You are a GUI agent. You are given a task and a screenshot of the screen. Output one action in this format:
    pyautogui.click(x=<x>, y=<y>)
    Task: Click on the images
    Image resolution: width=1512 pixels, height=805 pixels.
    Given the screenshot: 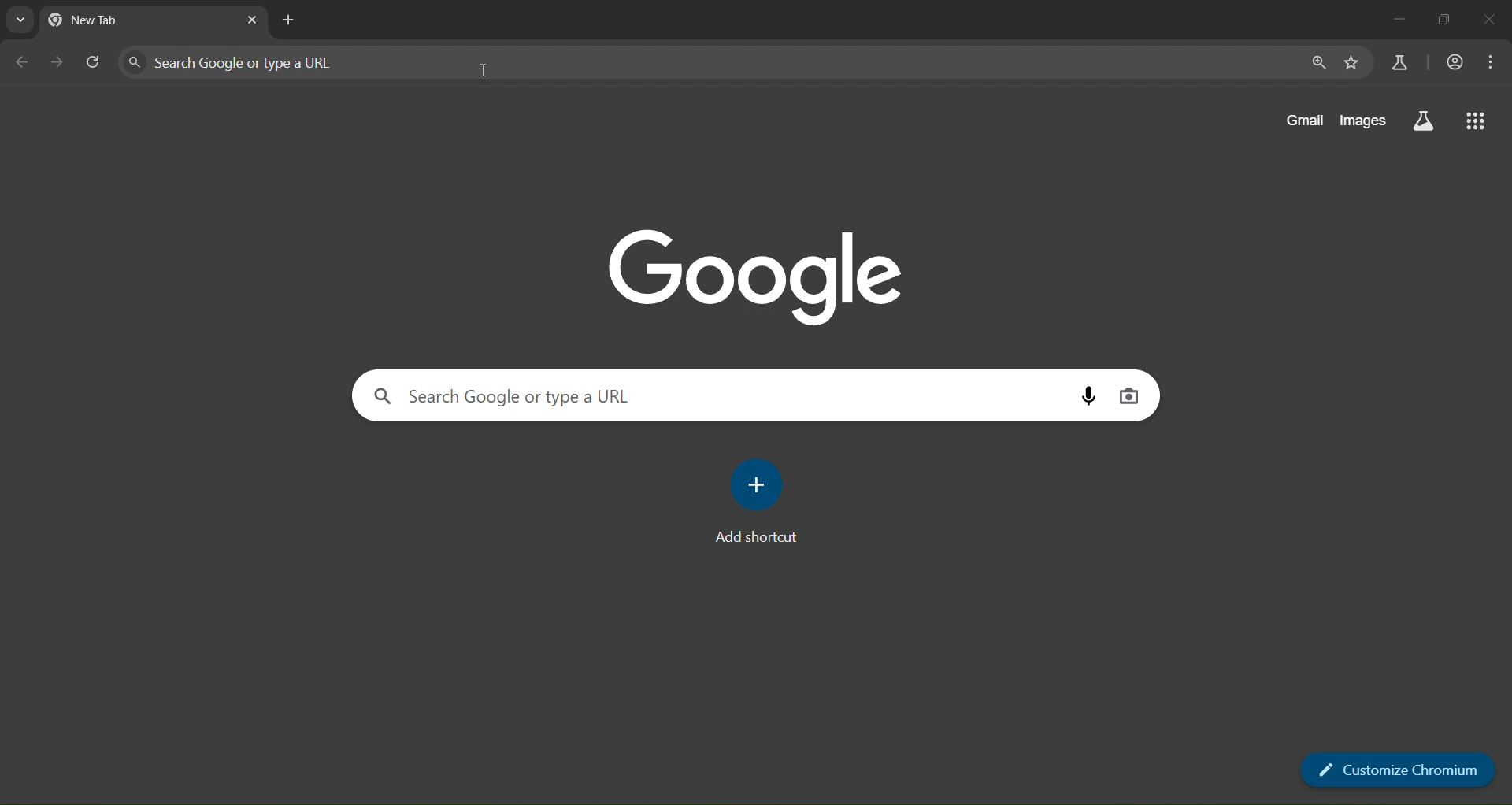 What is the action you would take?
    pyautogui.click(x=1362, y=122)
    